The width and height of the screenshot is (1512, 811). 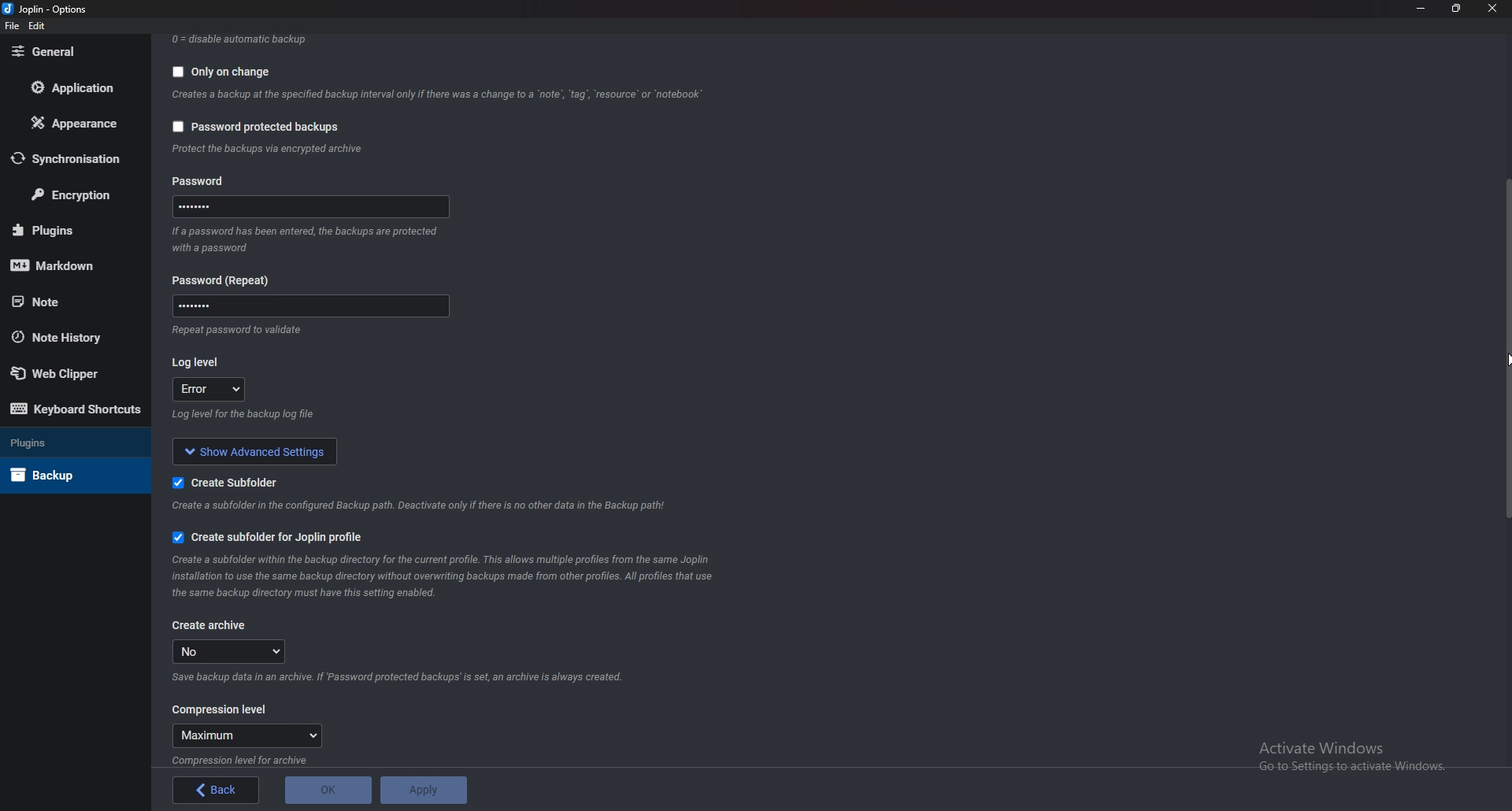 What do you see at coordinates (206, 183) in the screenshot?
I see `Password` at bounding box center [206, 183].